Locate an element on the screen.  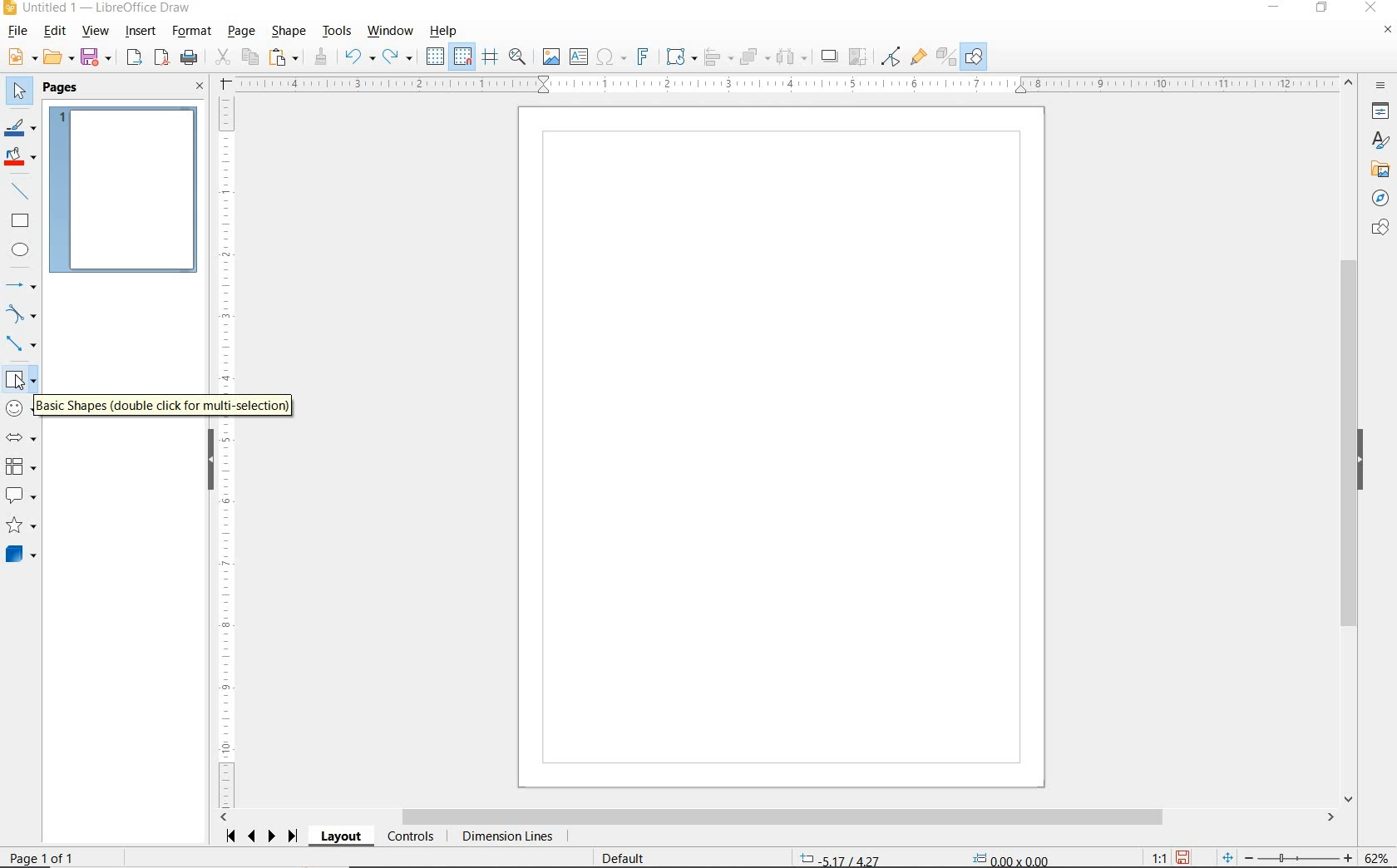
HELP is located at coordinates (447, 31).